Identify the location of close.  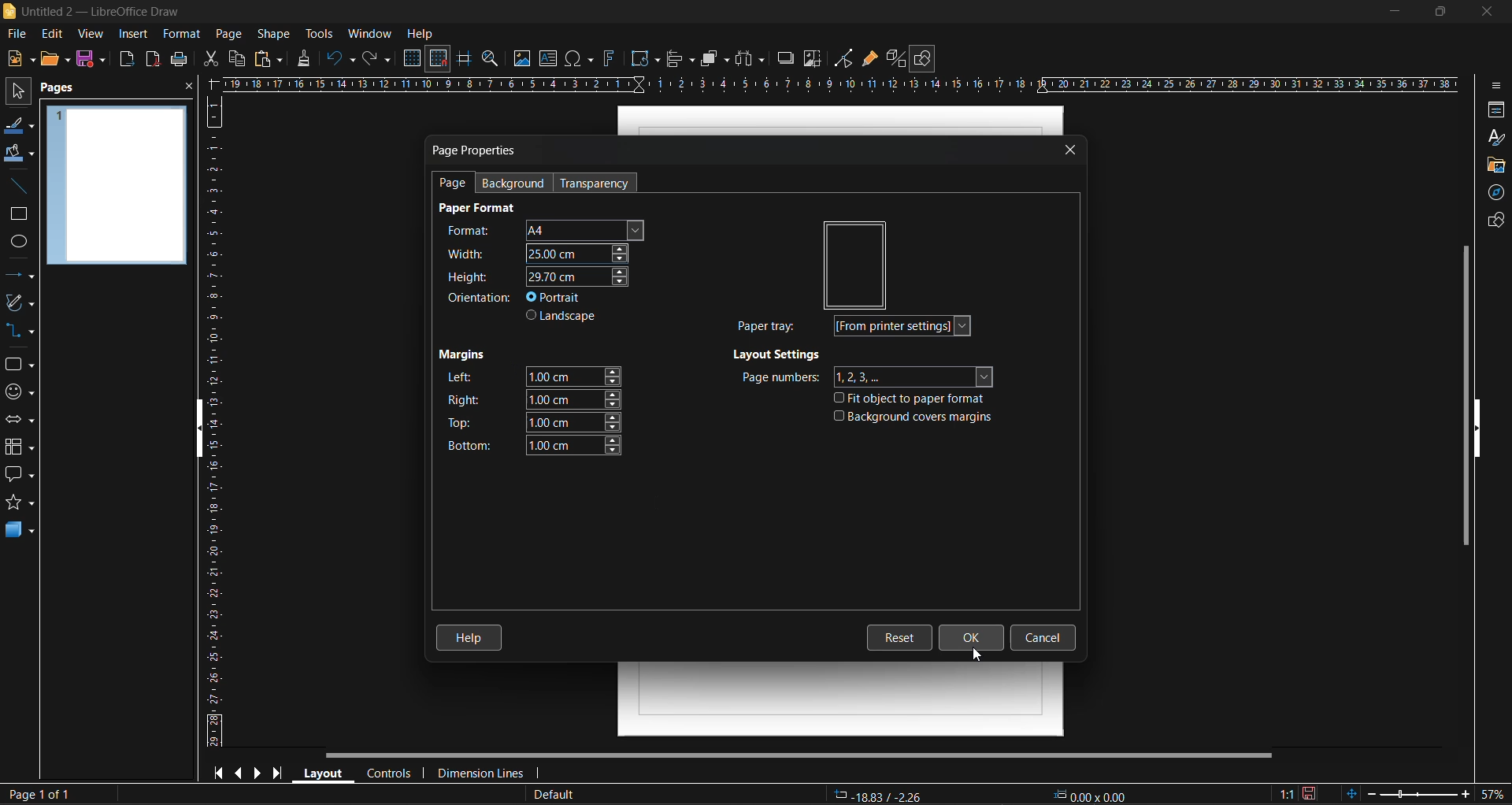
(1488, 13).